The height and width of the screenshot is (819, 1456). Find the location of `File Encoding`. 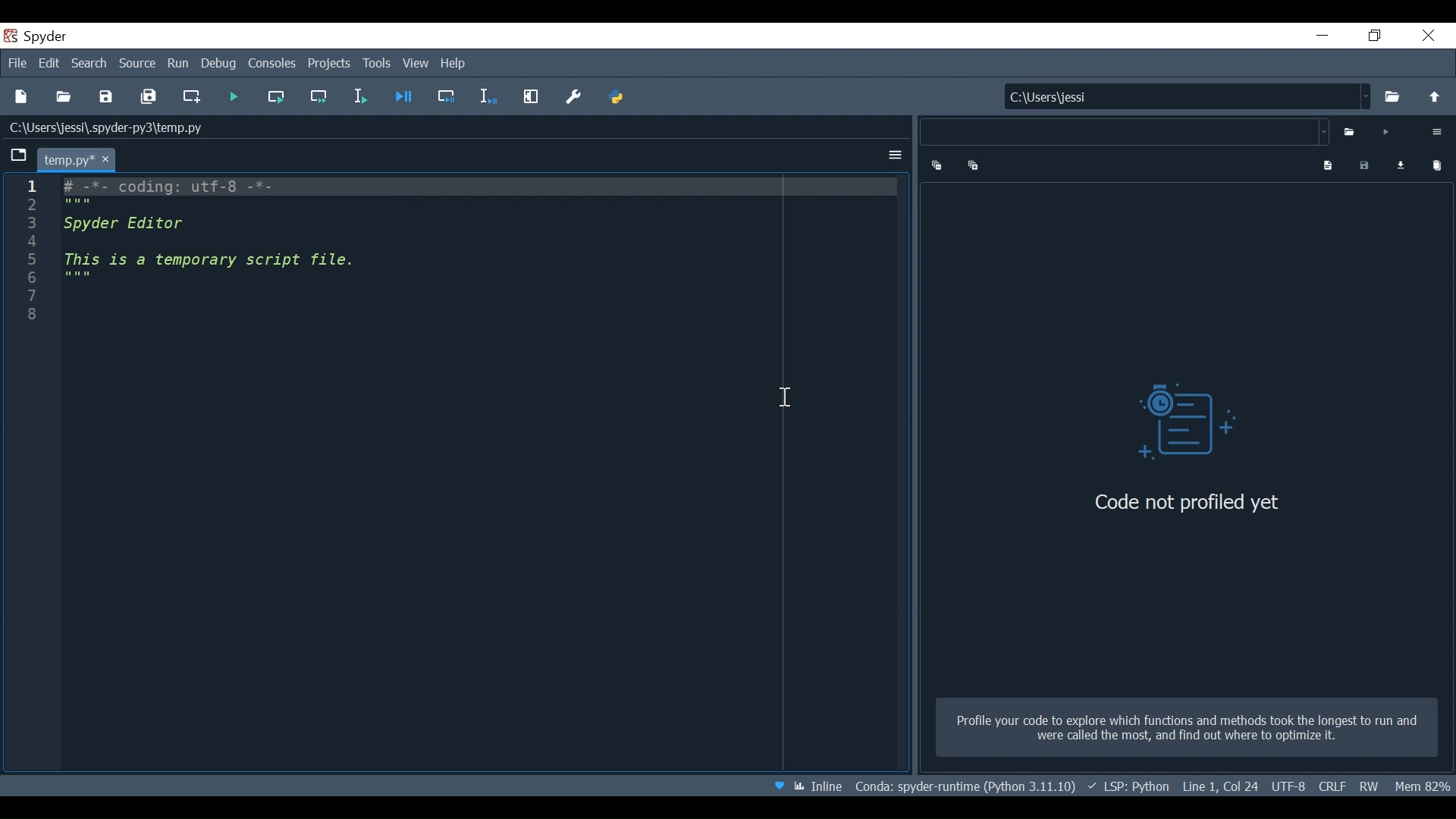

File Encoding is located at coordinates (1289, 786).